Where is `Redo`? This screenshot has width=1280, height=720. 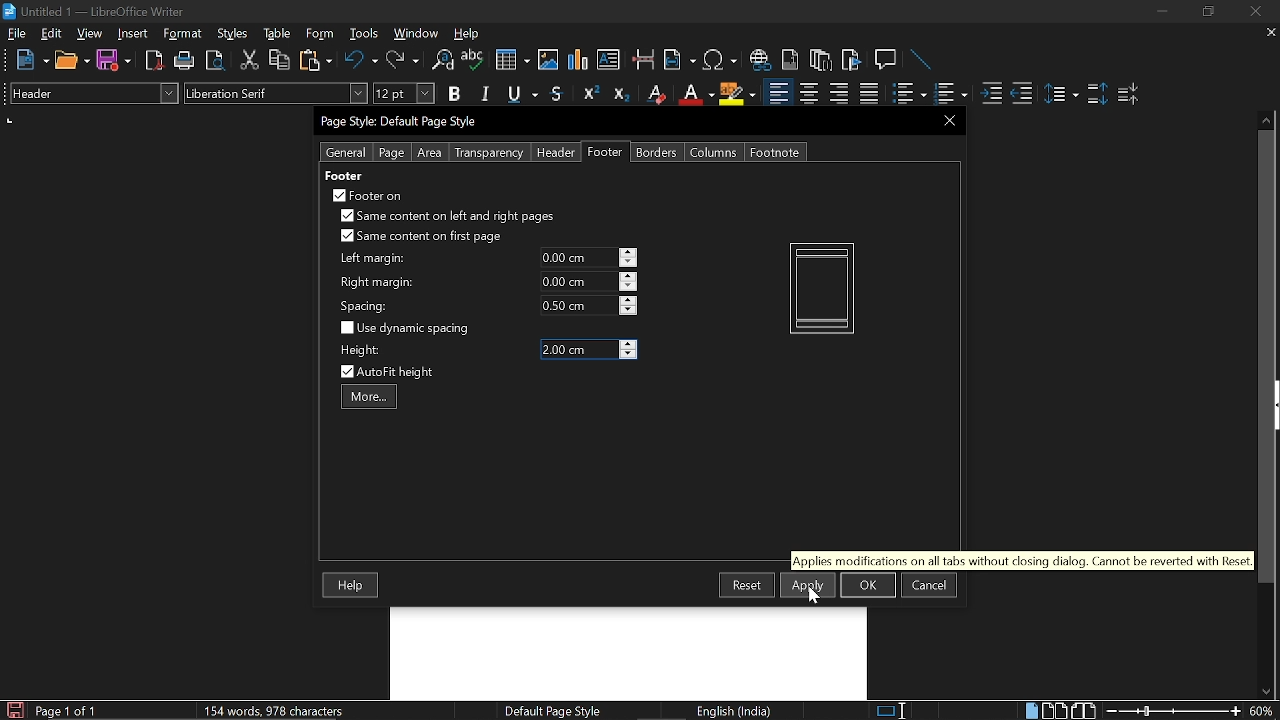 Redo is located at coordinates (402, 60).